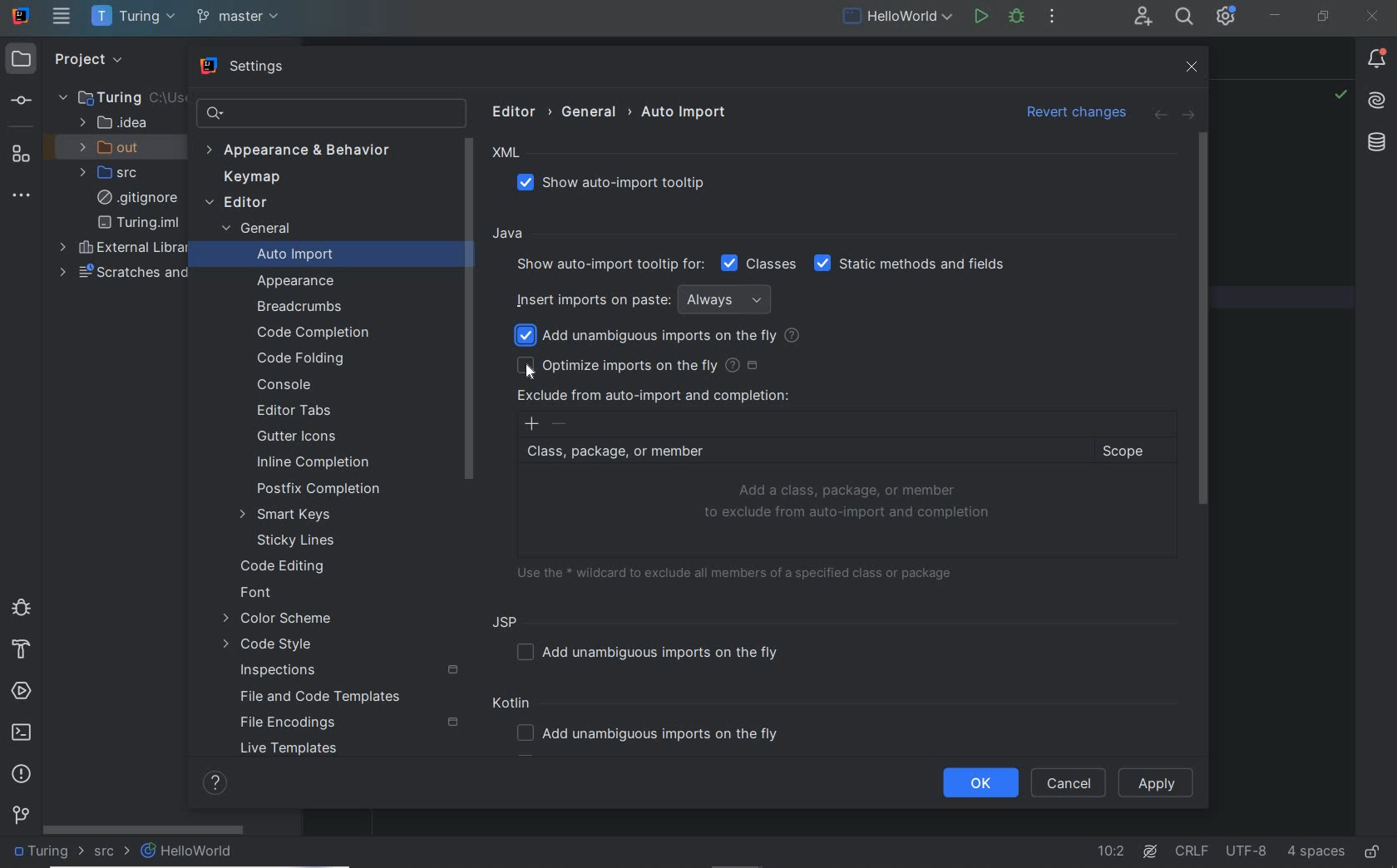  Describe the element at coordinates (244, 68) in the screenshot. I see `SETTINGS` at that location.